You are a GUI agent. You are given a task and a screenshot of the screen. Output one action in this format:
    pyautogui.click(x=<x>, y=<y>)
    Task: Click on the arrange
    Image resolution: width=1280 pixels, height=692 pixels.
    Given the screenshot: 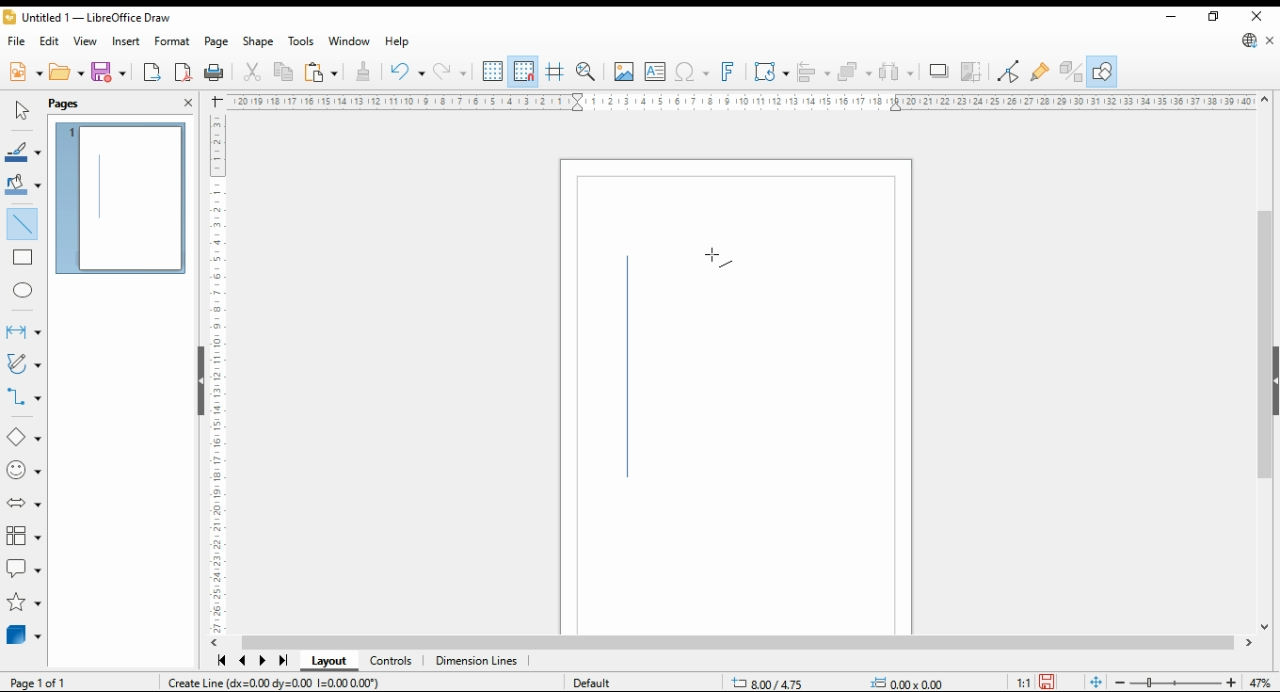 What is the action you would take?
    pyautogui.click(x=855, y=71)
    